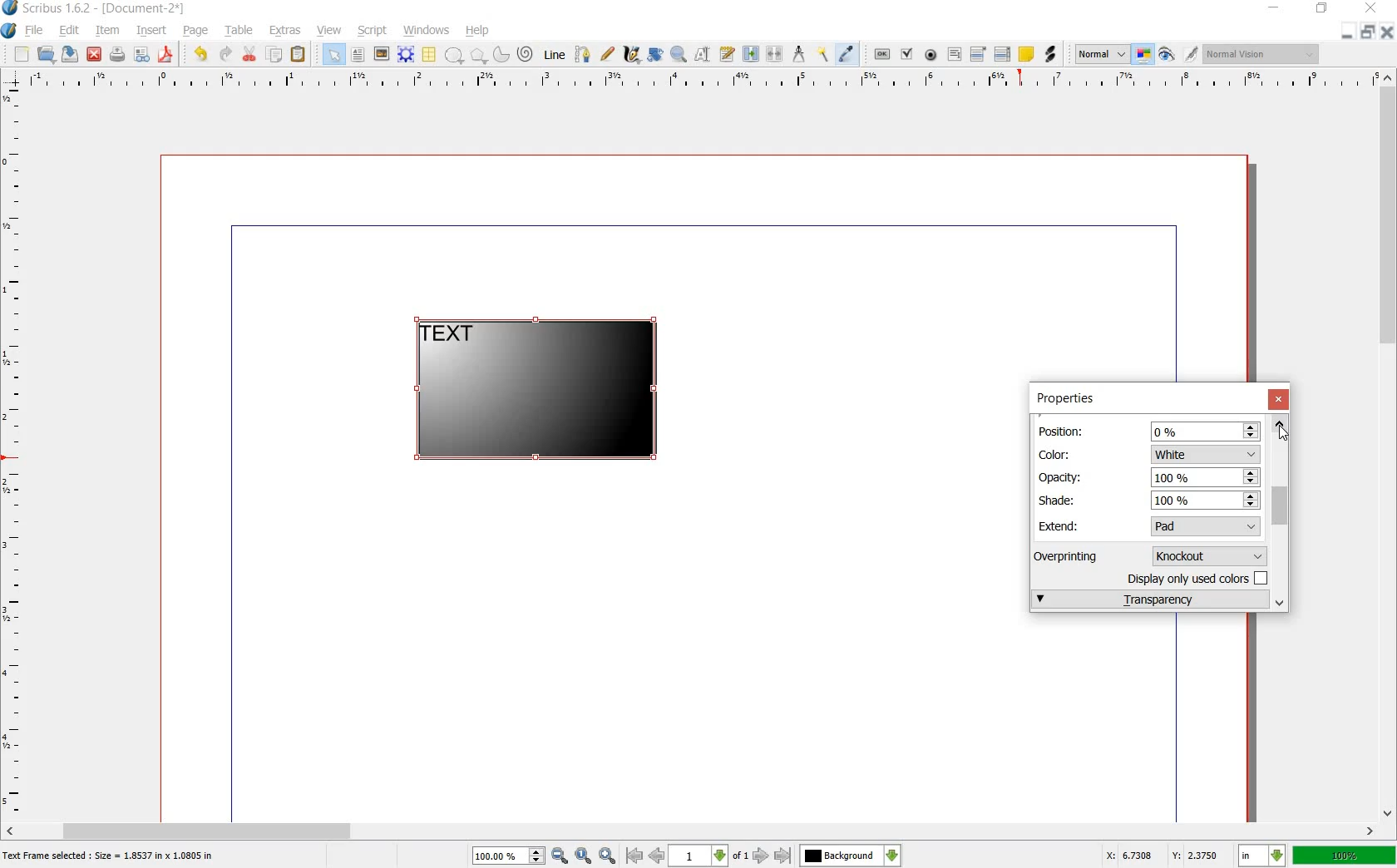  I want to click on table, so click(430, 55).